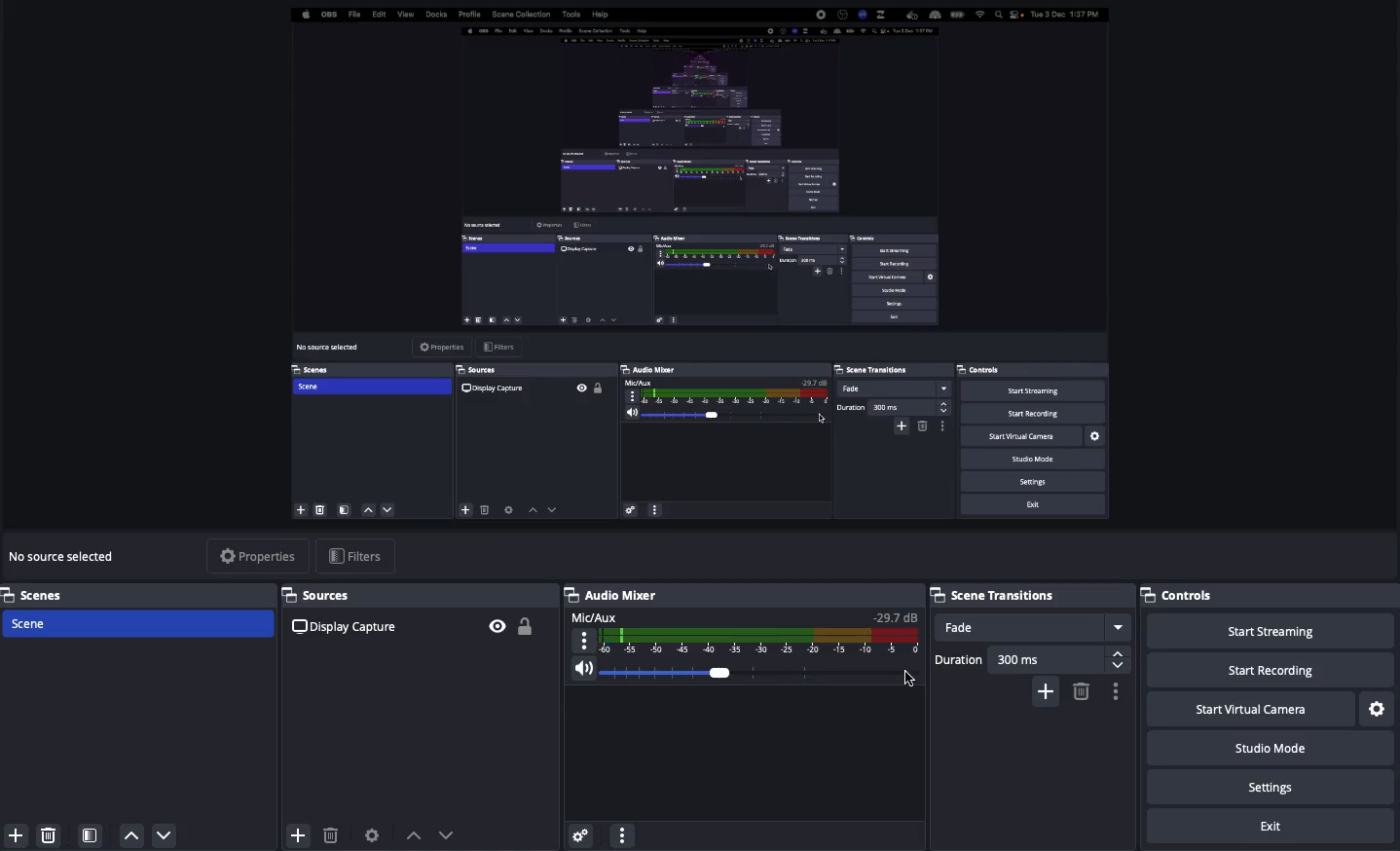  Describe the element at coordinates (1035, 627) in the screenshot. I see `Fade` at that location.